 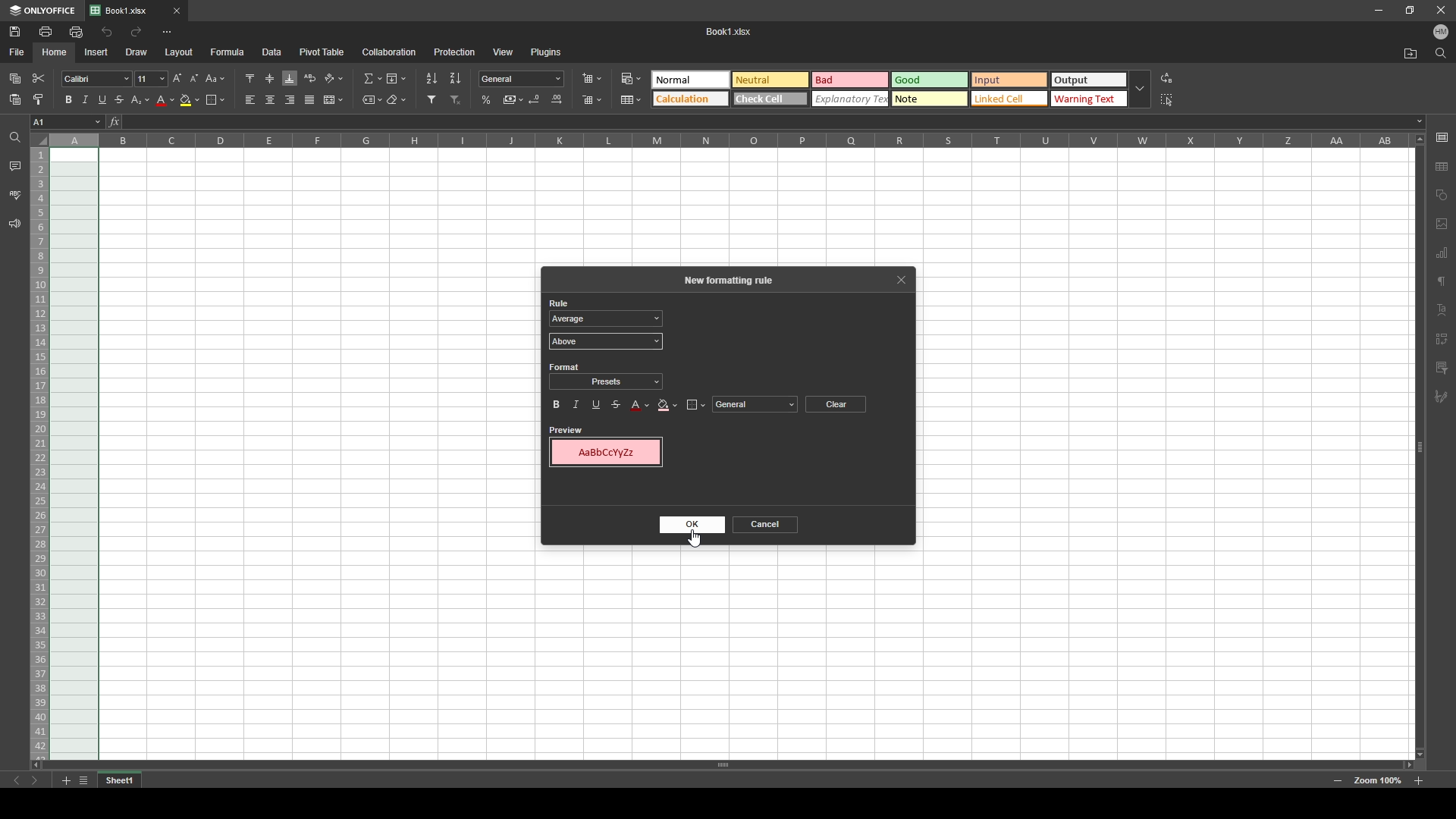 What do you see at coordinates (1442, 335) in the screenshot?
I see `indent` at bounding box center [1442, 335].